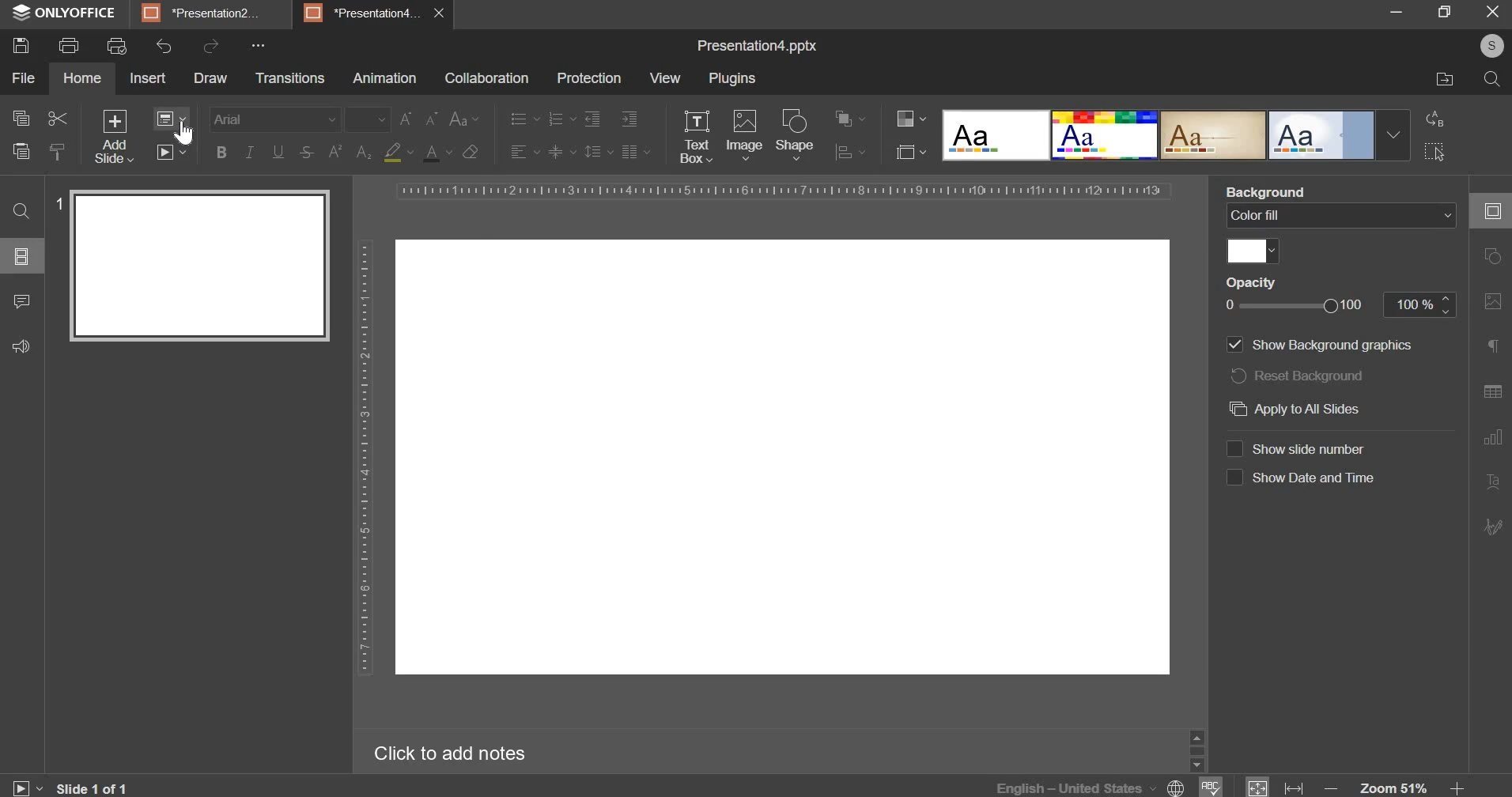  What do you see at coordinates (1295, 788) in the screenshot?
I see `fit to width` at bounding box center [1295, 788].